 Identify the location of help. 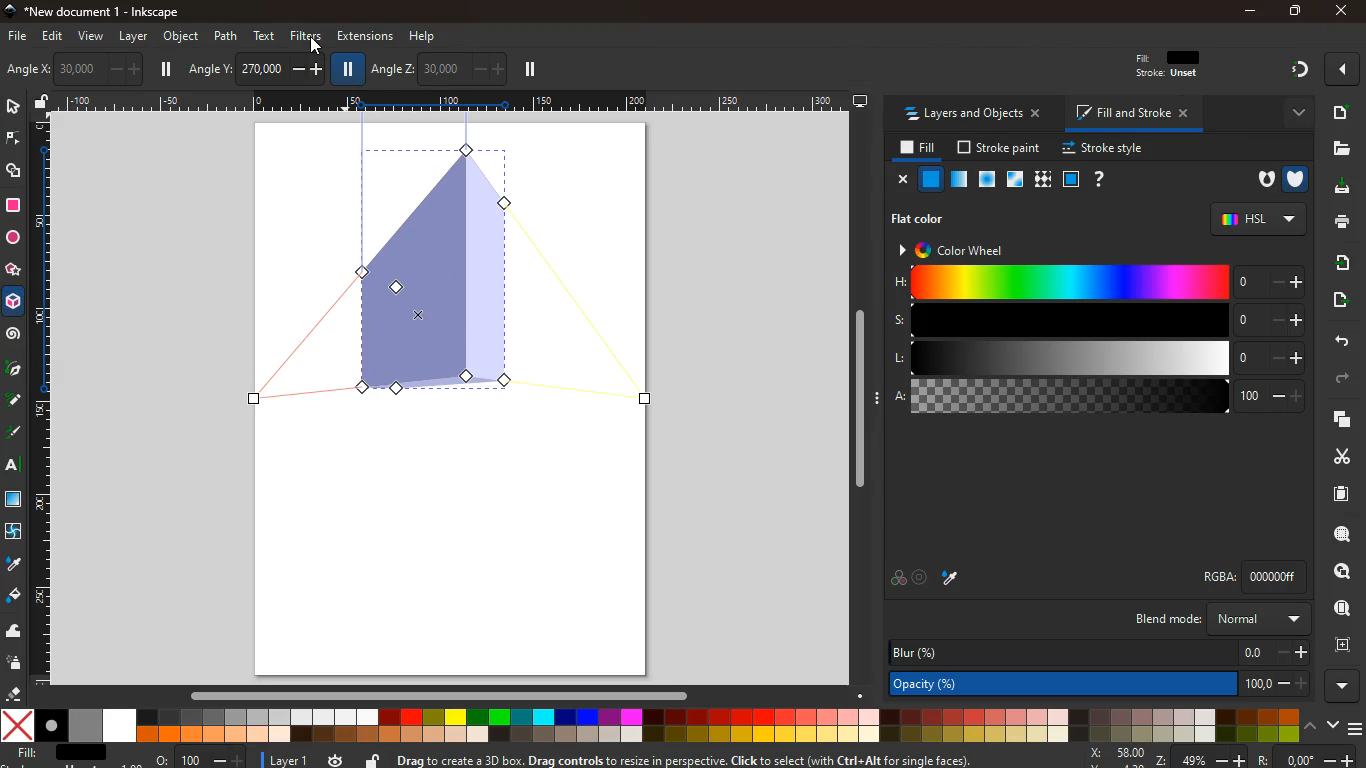
(1100, 179).